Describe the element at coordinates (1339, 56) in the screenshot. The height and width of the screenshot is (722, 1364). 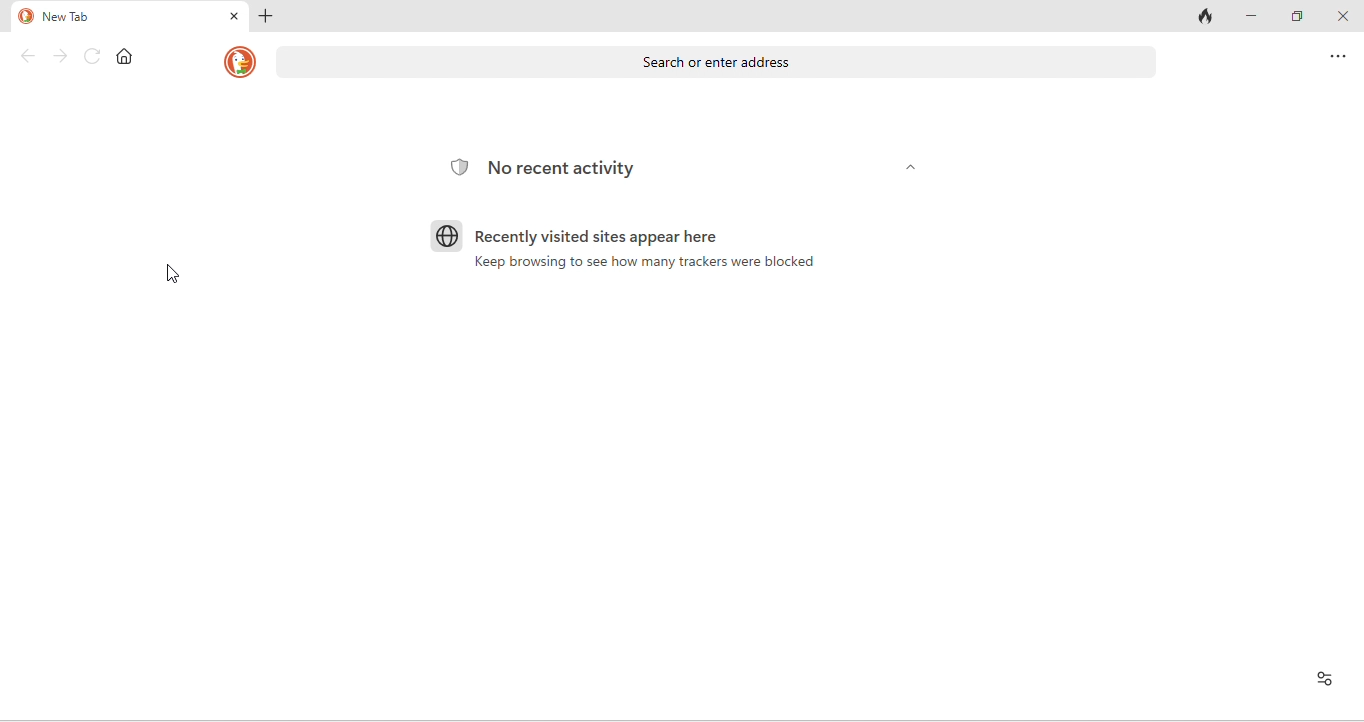
I see ` more options` at that location.